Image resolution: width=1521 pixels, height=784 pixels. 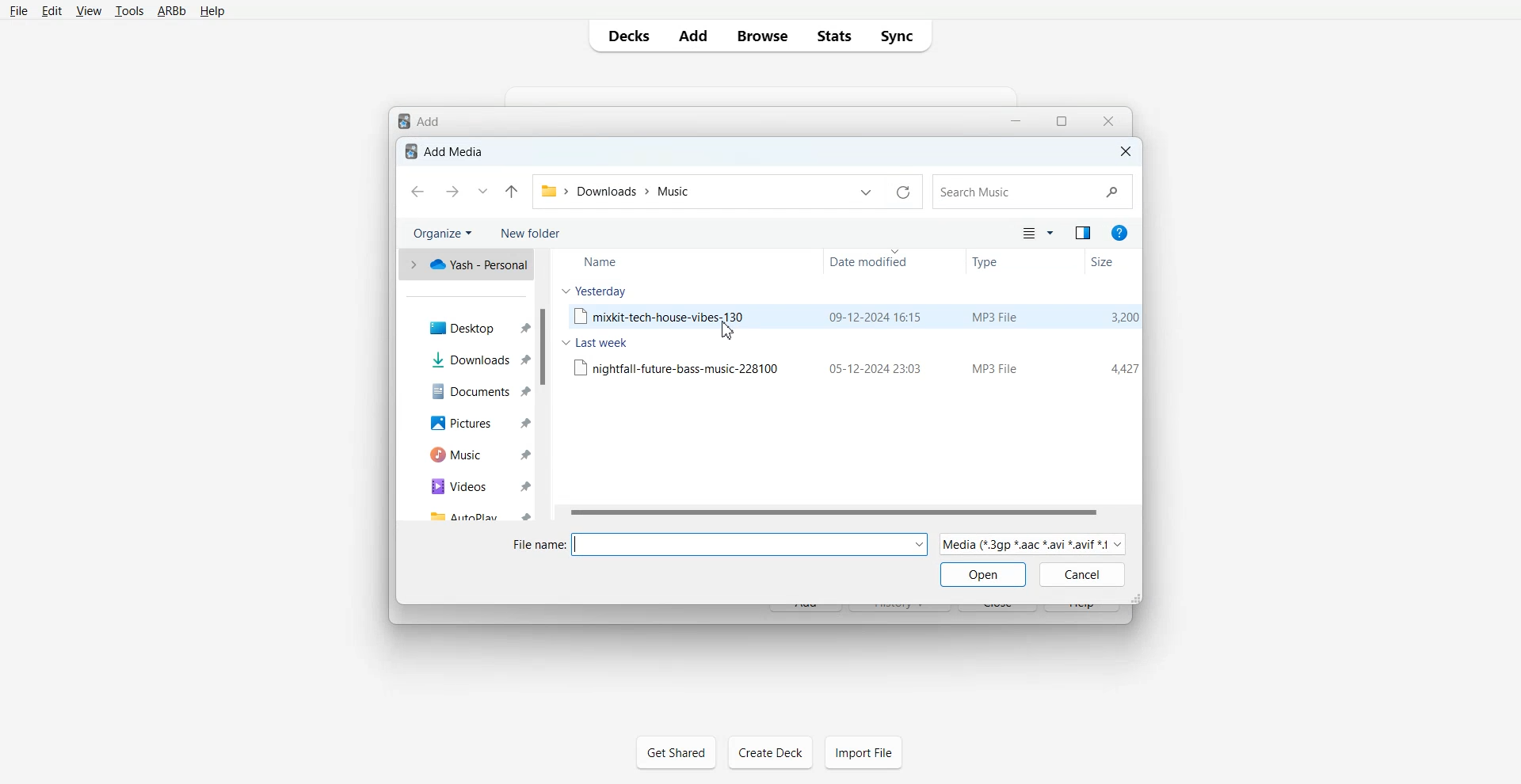 What do you see at coordinates (452, 192) in the screenshot?
I see `Go Forward` at bounding box center [452, 192].